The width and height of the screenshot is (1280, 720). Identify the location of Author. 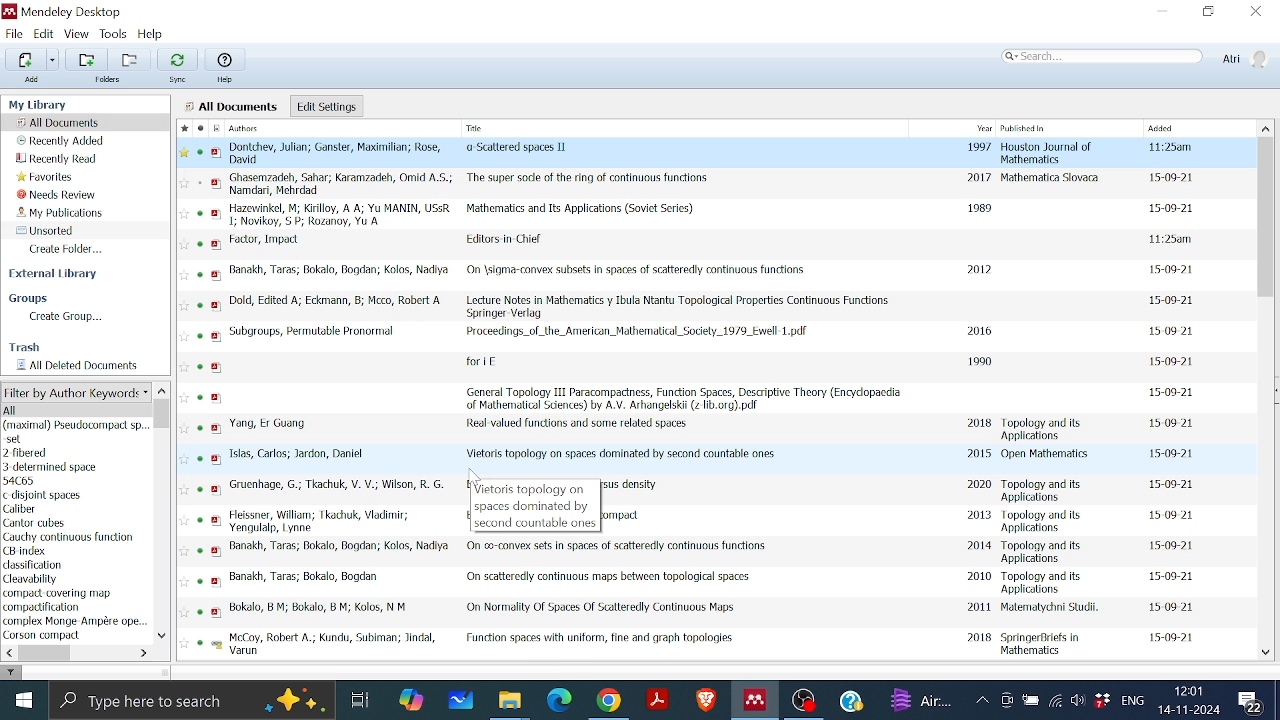
(272, 422).